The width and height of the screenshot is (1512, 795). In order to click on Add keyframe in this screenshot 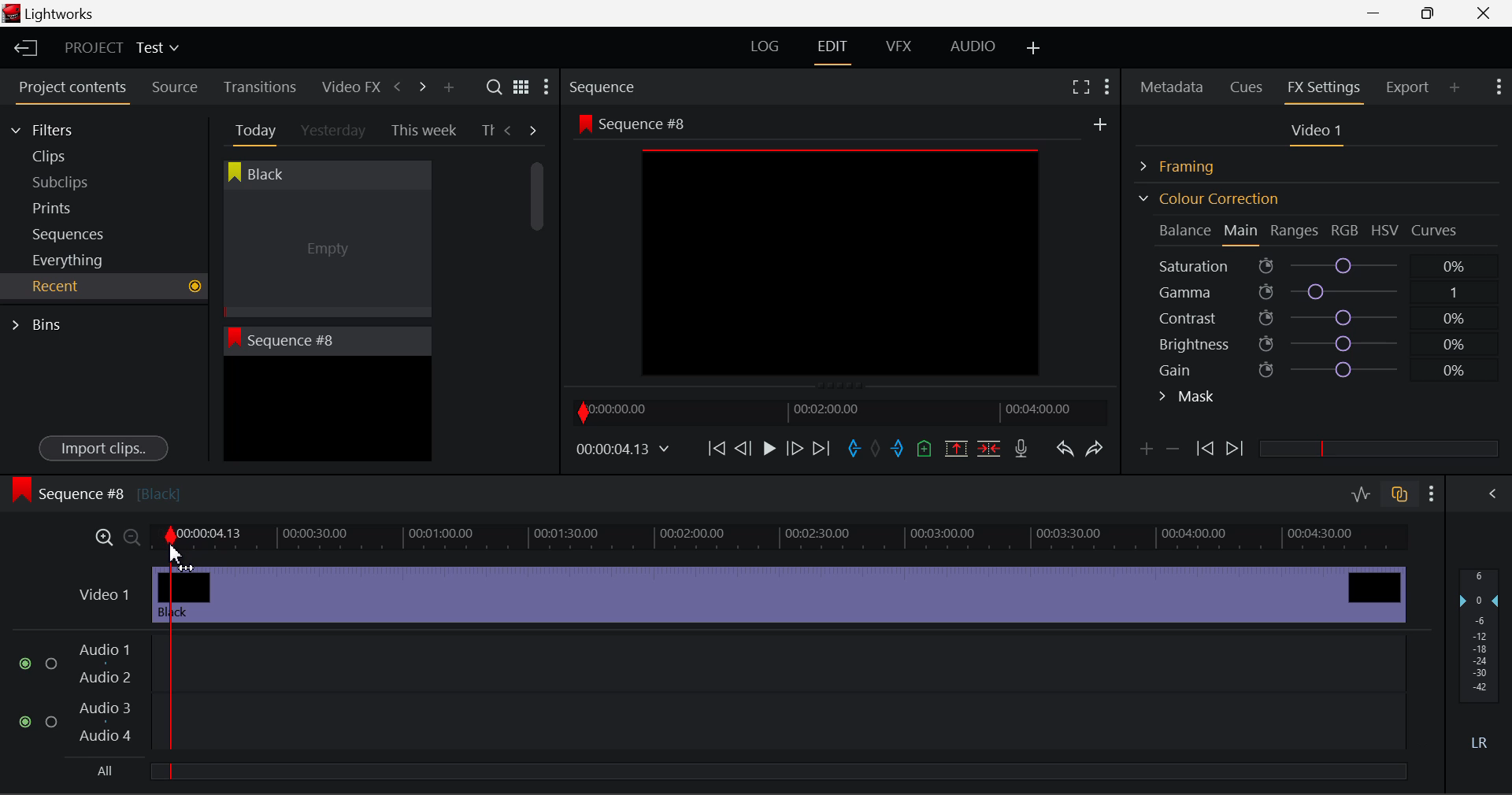, I will do `click(1143, 452)`.